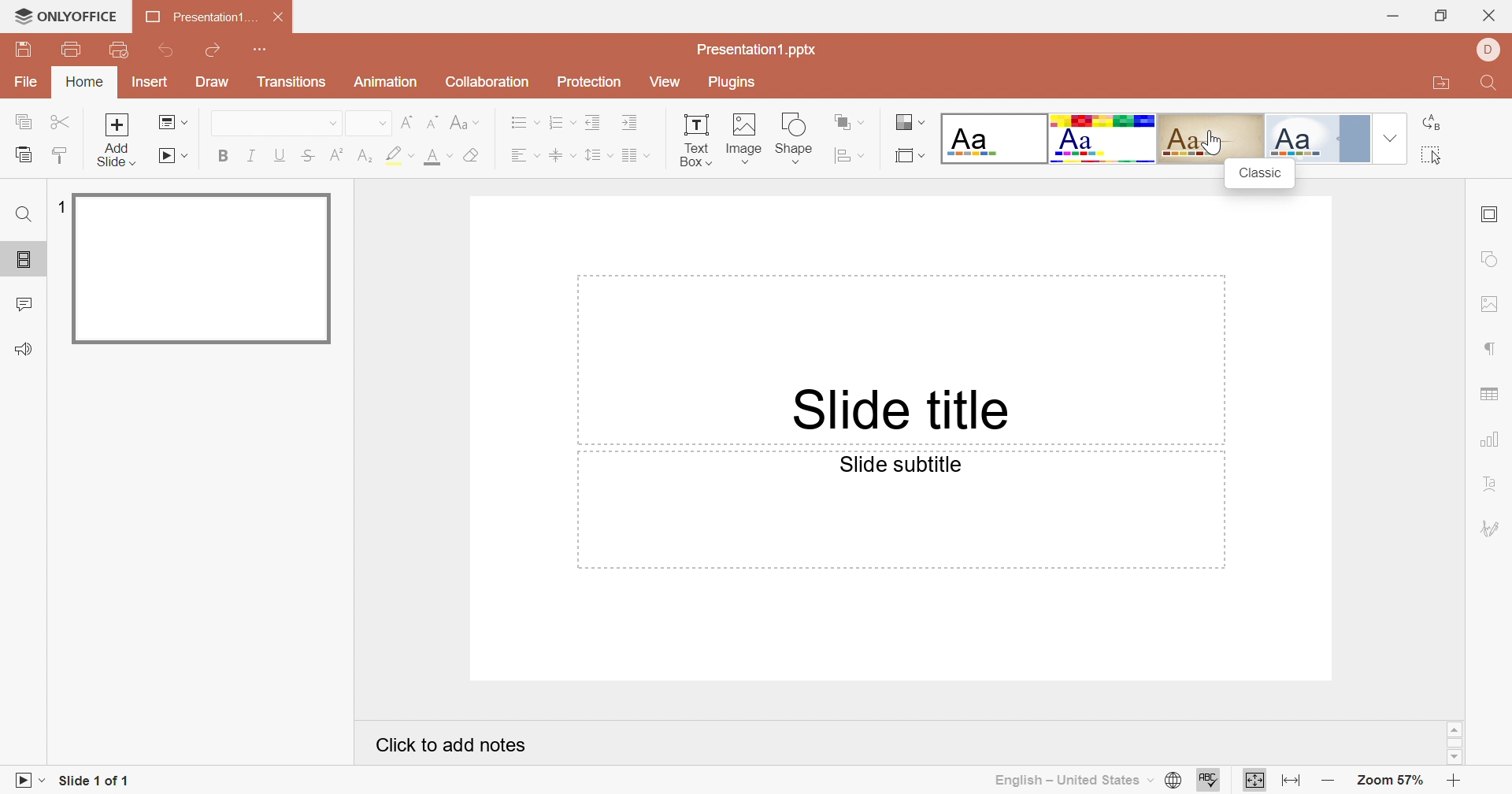  I want to click on Drop Down, so click(332, 121).